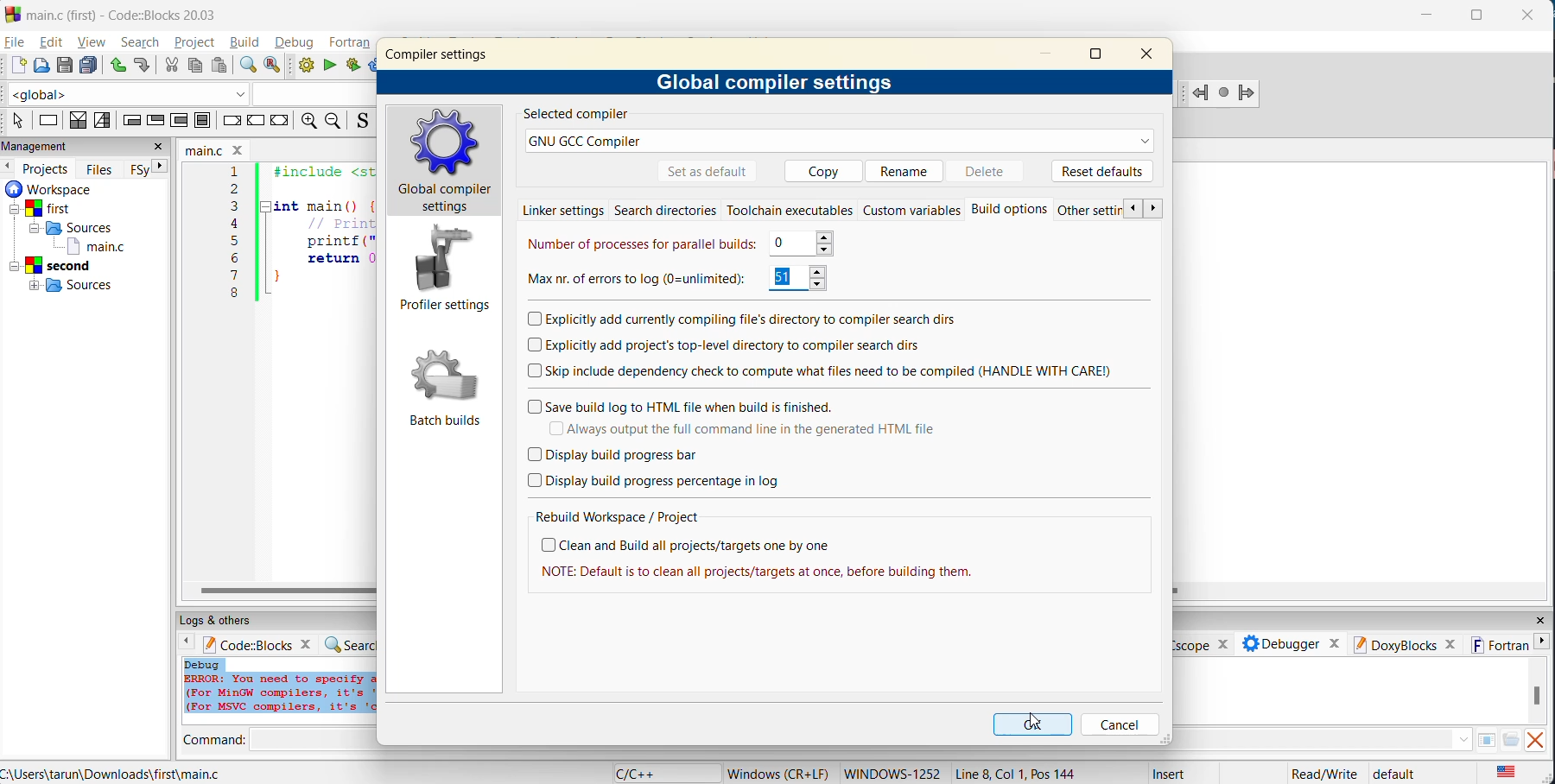  I want to click on custom variables, so click(914, 211).